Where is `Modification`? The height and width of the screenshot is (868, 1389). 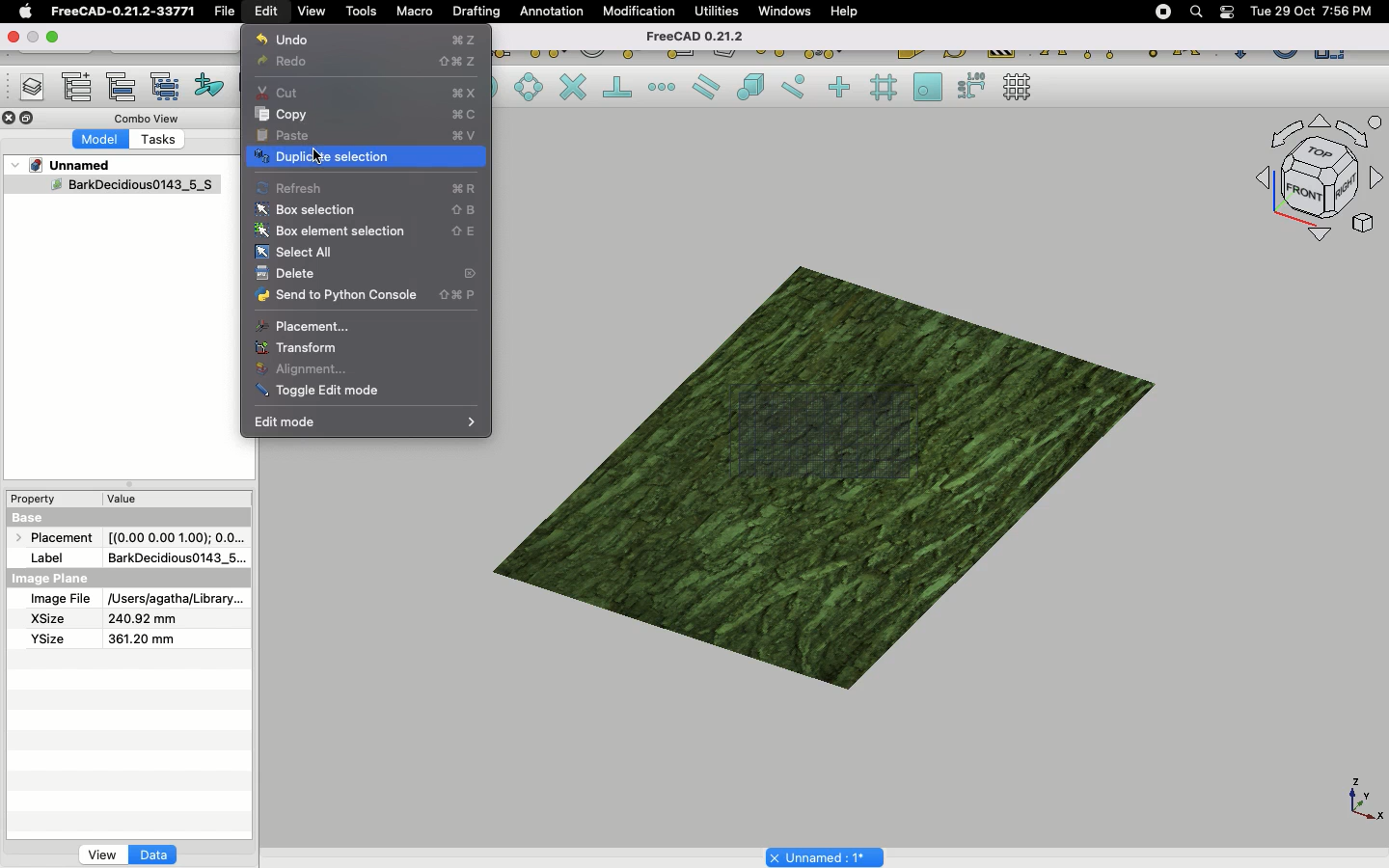
Modification is located at coordinates (643, 14).